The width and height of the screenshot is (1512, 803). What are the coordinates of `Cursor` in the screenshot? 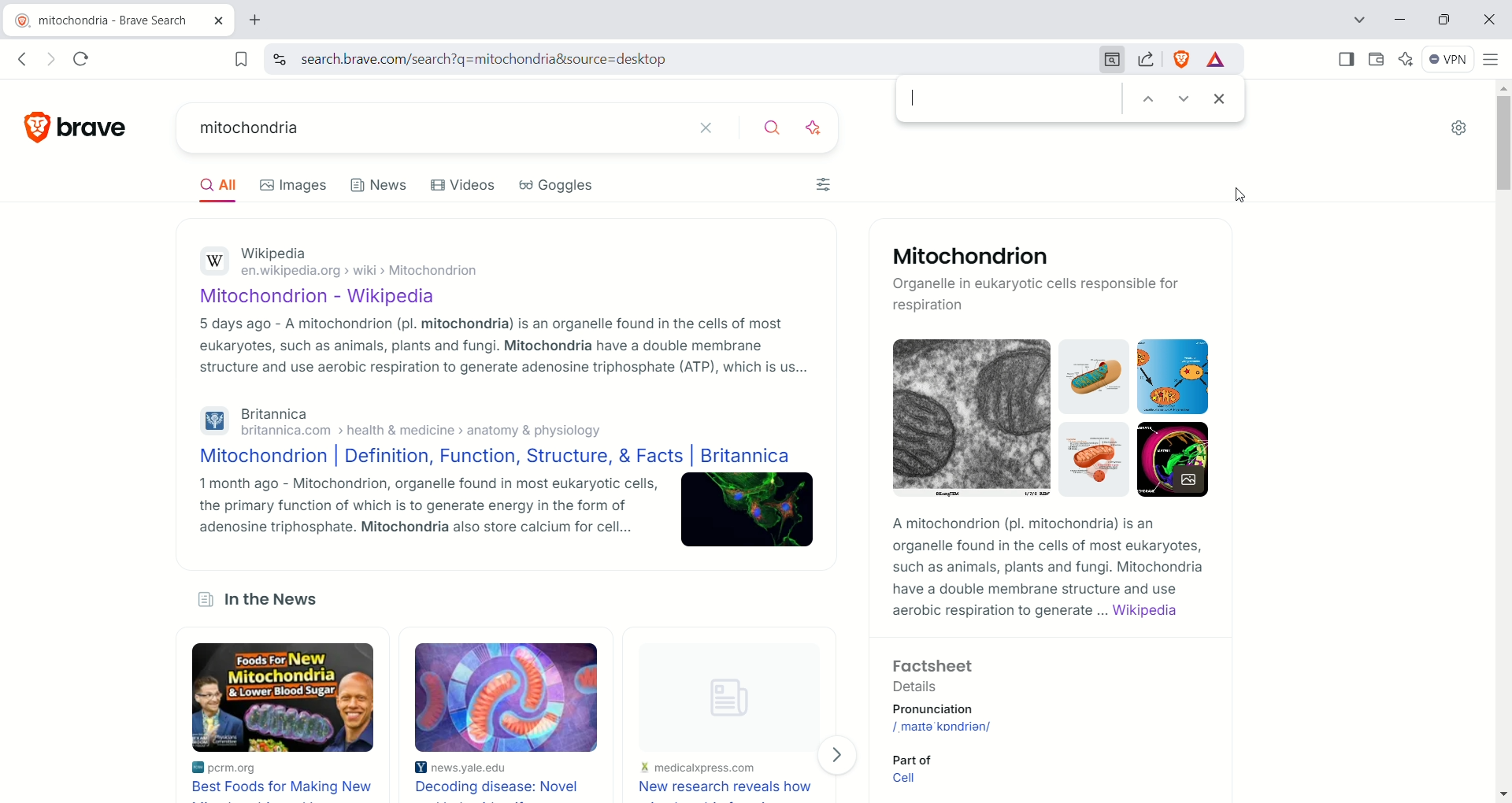 It's located at (1240, 194).